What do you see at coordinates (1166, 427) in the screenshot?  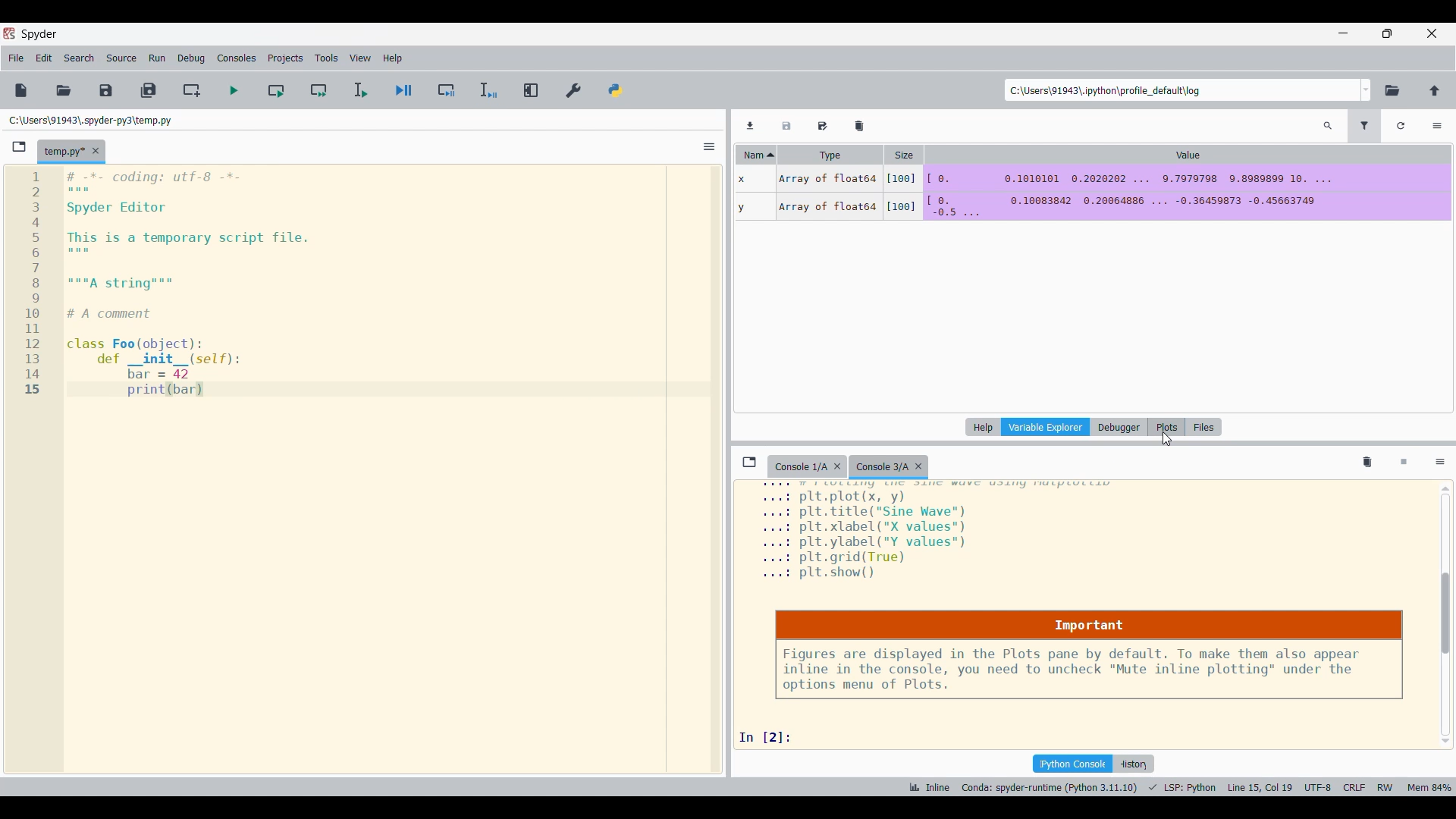 I see `Plots` at bounding box center [1166, 427].